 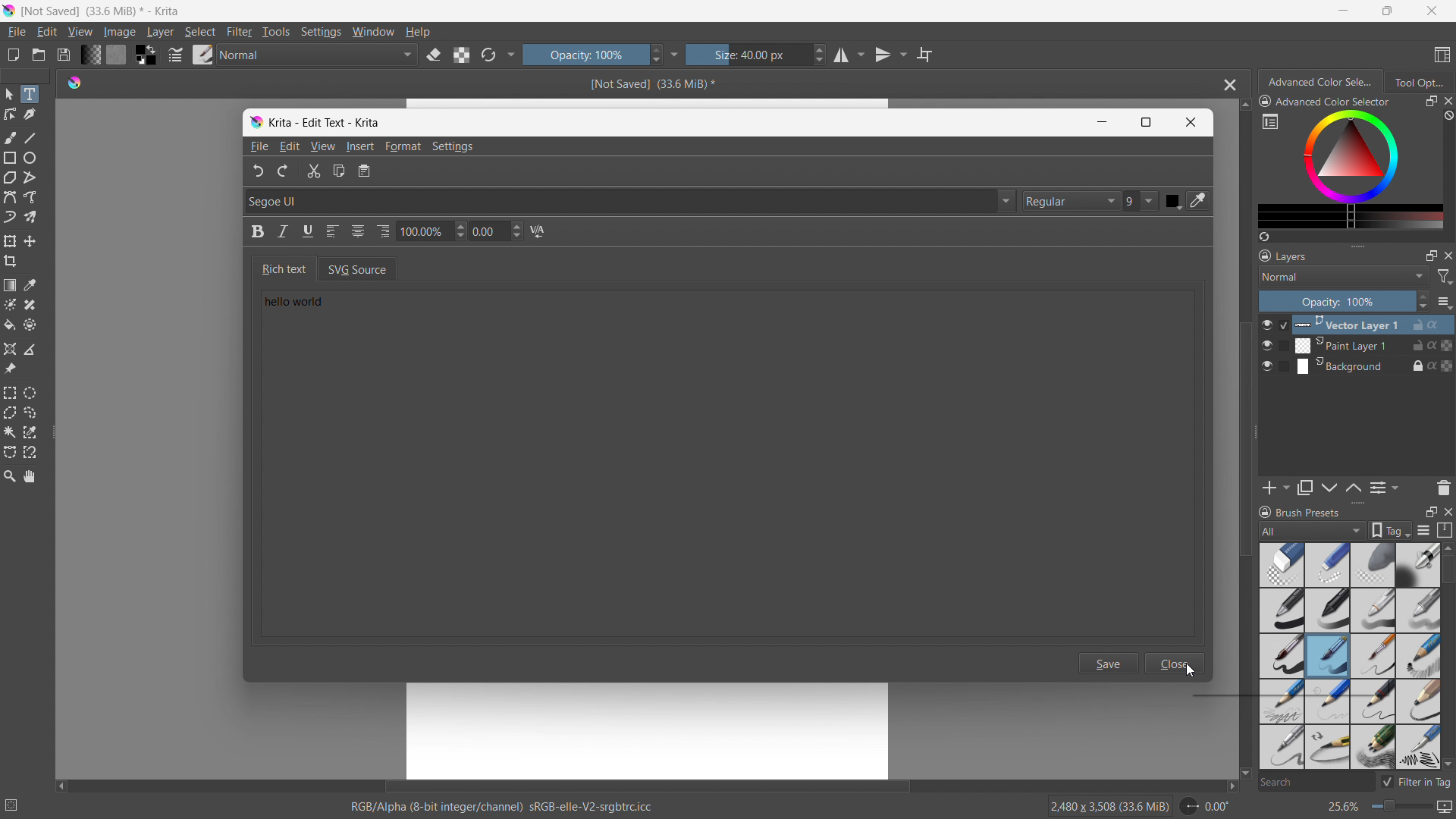 What do you see at coordinates (30, 158) in the screenshot?
I see `ellipse tool` at bounding box center [30, 158].